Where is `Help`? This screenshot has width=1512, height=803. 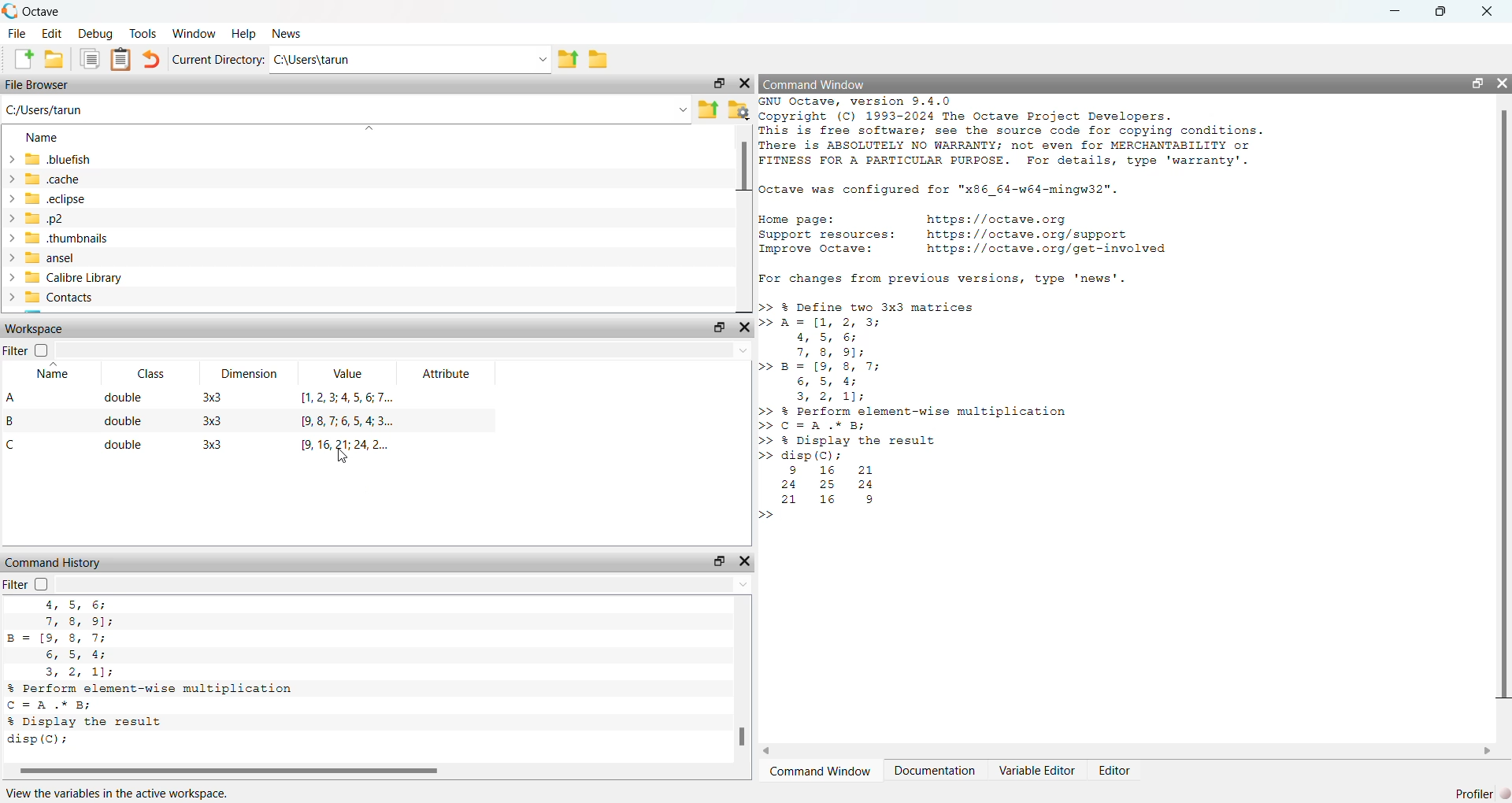 Help is located at coordinates (244, 34).